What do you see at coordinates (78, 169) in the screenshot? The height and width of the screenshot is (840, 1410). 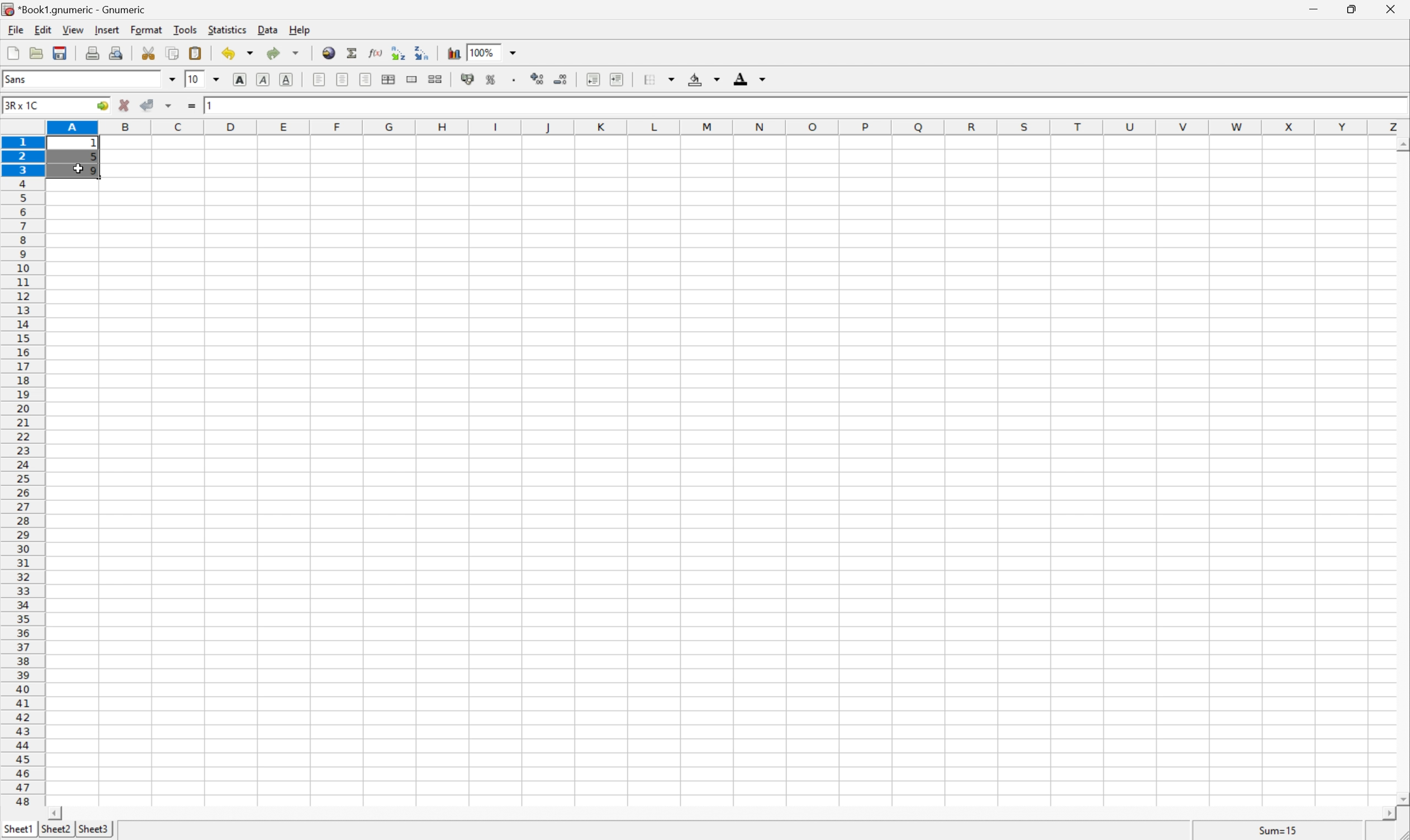 I see `Cursor` at bounding box center [78, 169].